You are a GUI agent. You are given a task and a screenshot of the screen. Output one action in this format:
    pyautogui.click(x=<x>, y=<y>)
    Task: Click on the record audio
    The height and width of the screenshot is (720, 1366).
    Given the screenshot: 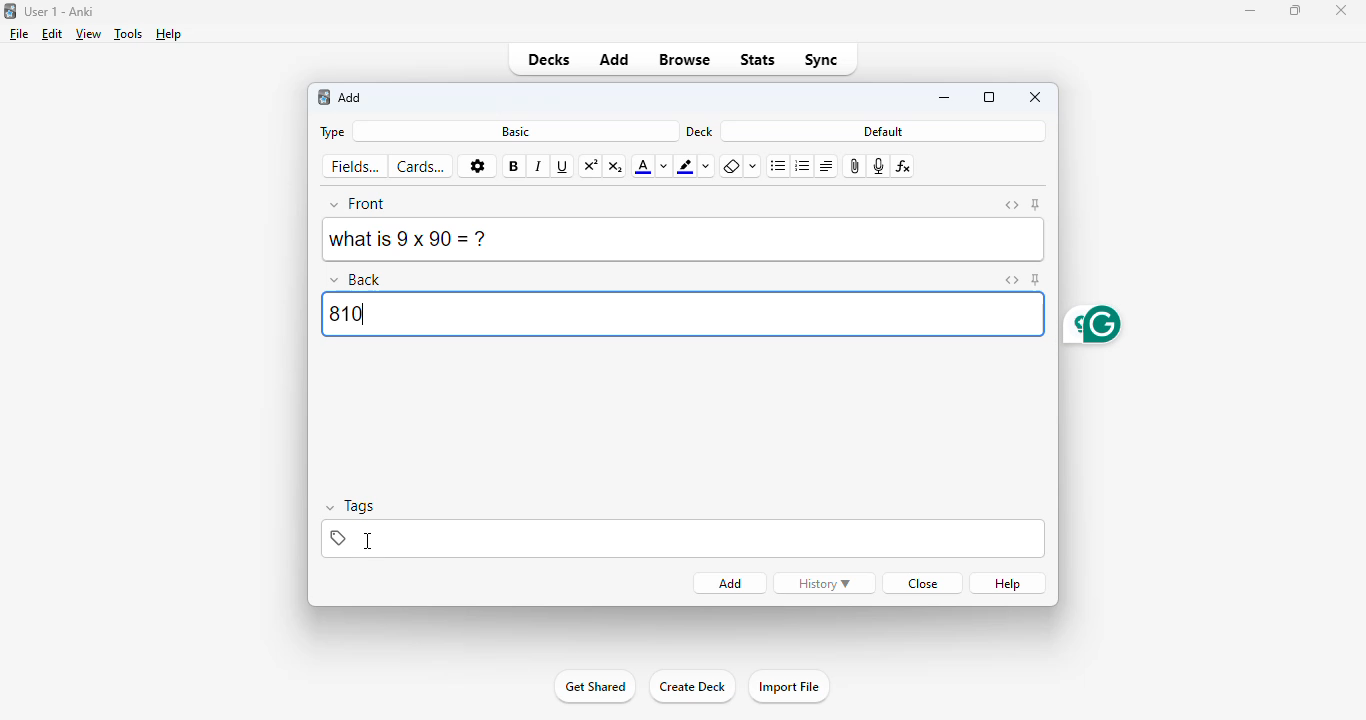 What is the action you would take?
    pyautogui.click(x=879, y=166)
    